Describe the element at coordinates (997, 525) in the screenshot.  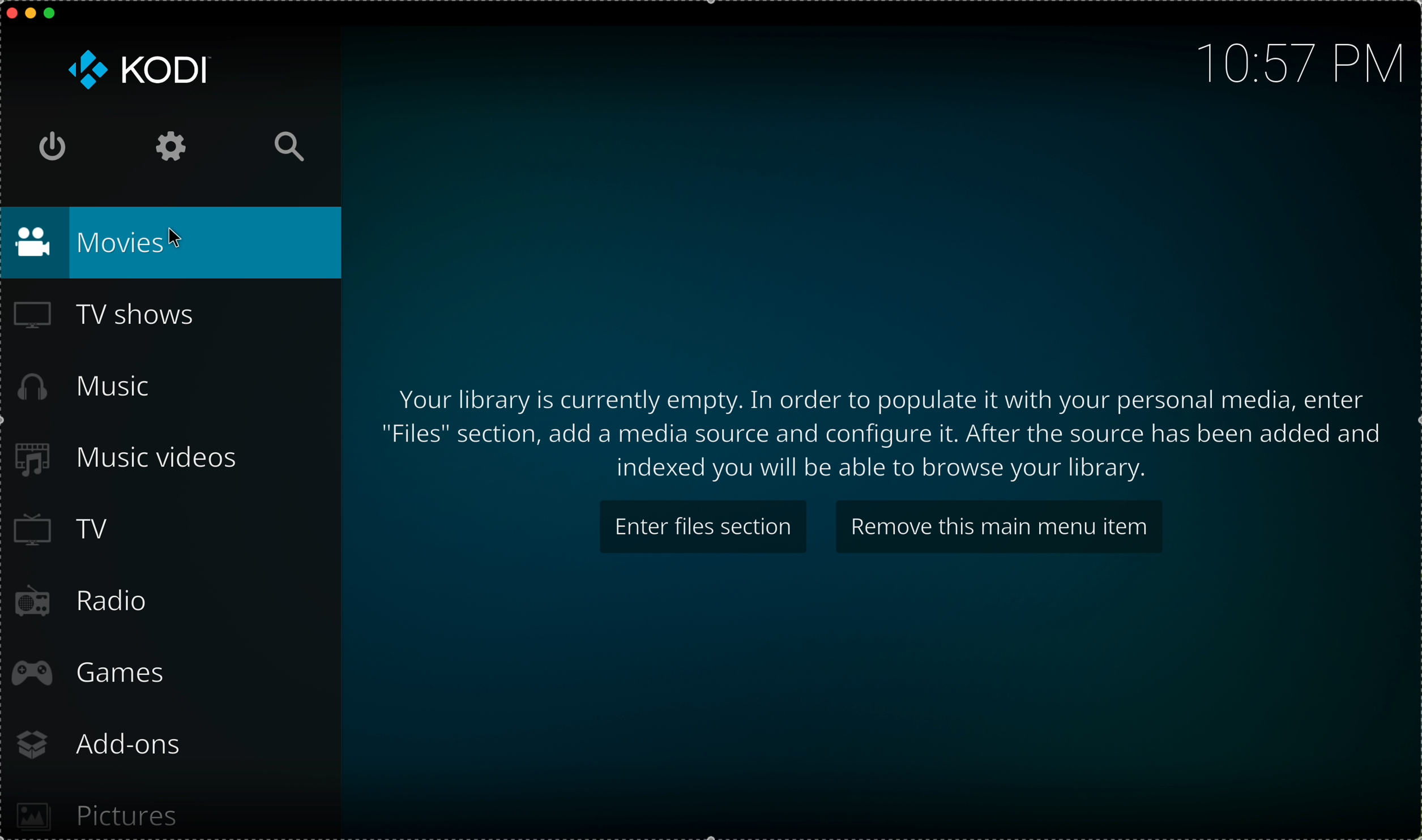
I see `remove this main menu item` at that location.